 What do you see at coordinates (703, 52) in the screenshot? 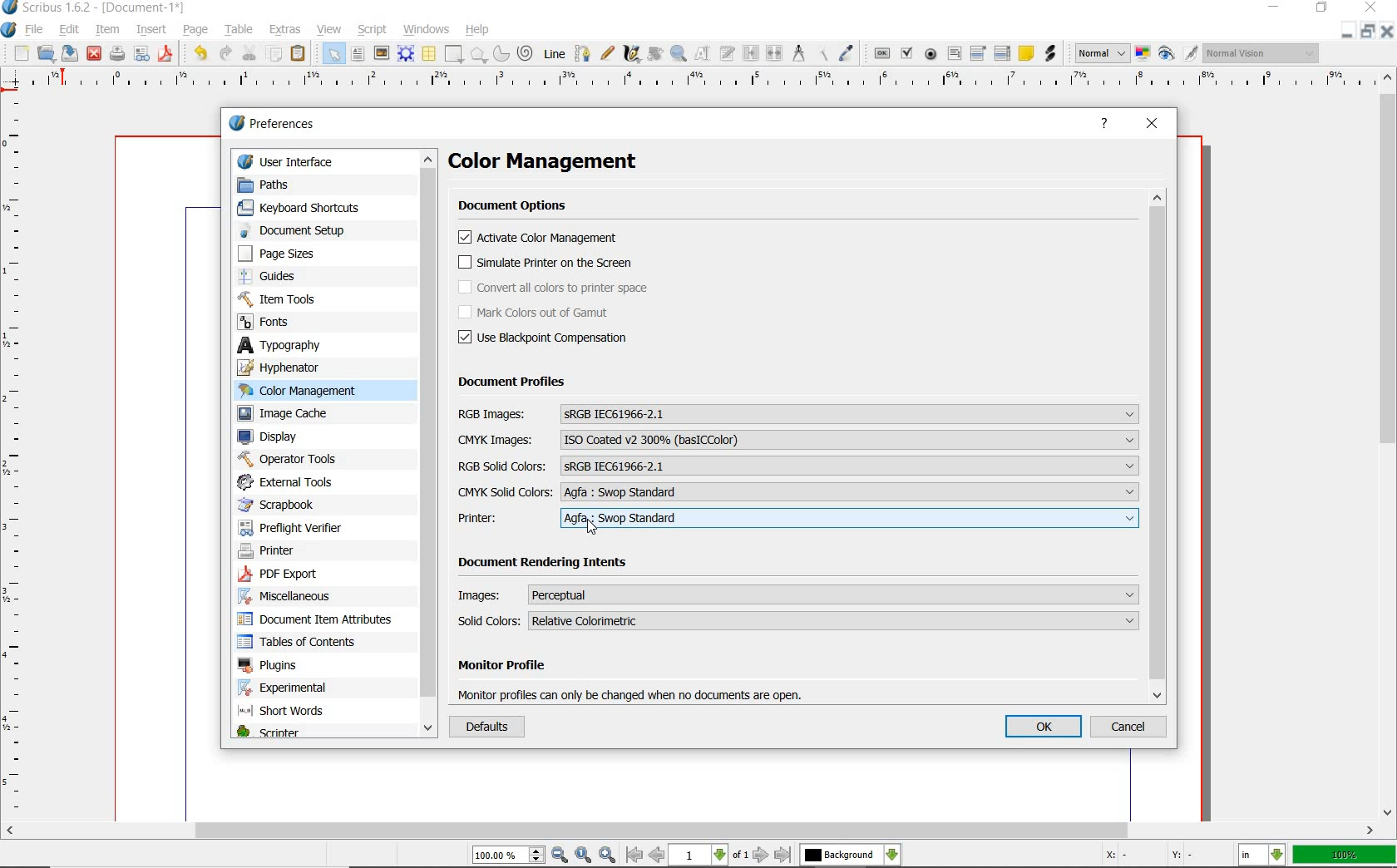
I see `edit contents of frame` at bounding box center [703, 52].